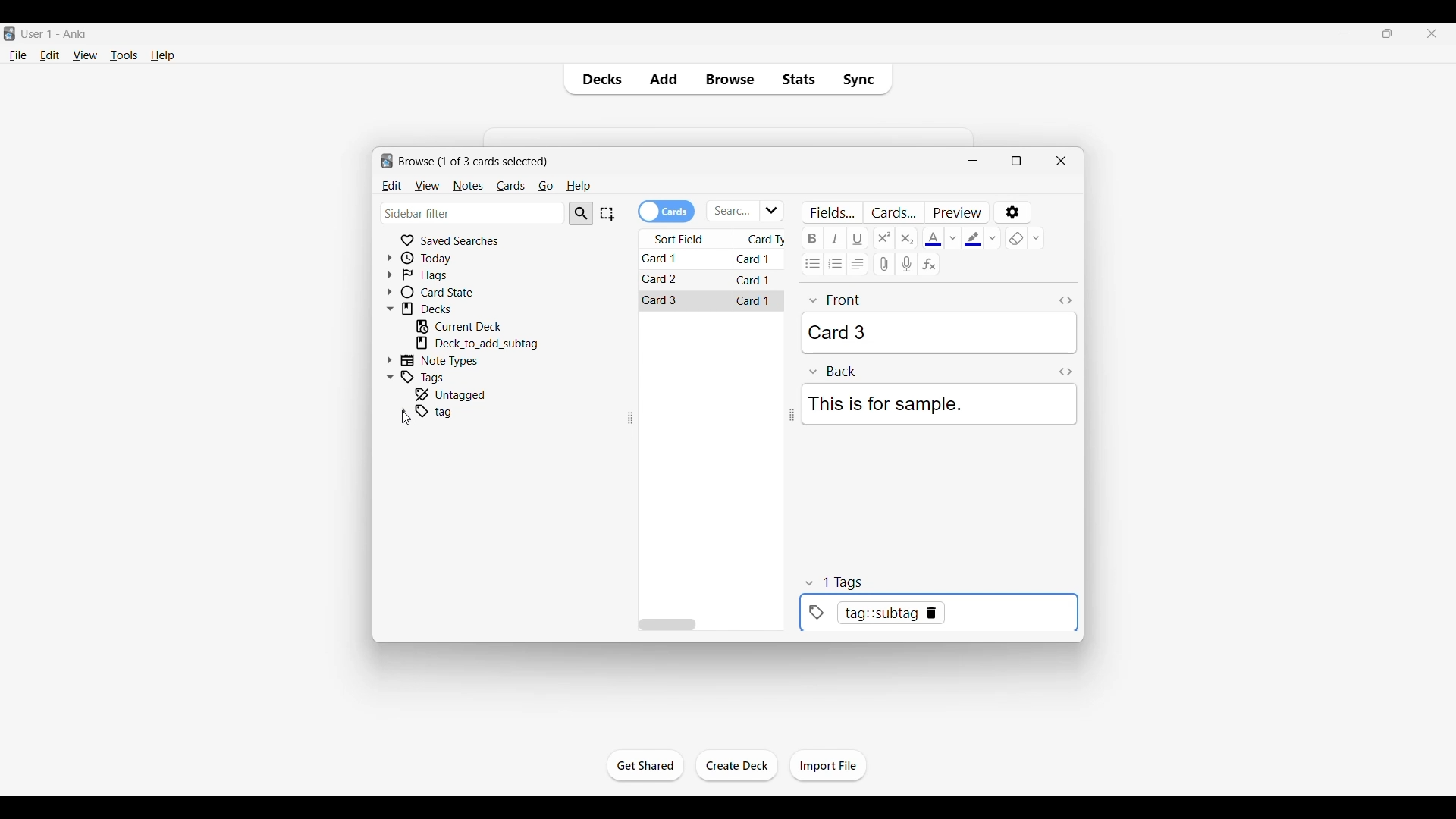 The image size is (1456, 819). Describe the element at coordinates (857, 264) in the screenshot. I see `Alignment` at that location.